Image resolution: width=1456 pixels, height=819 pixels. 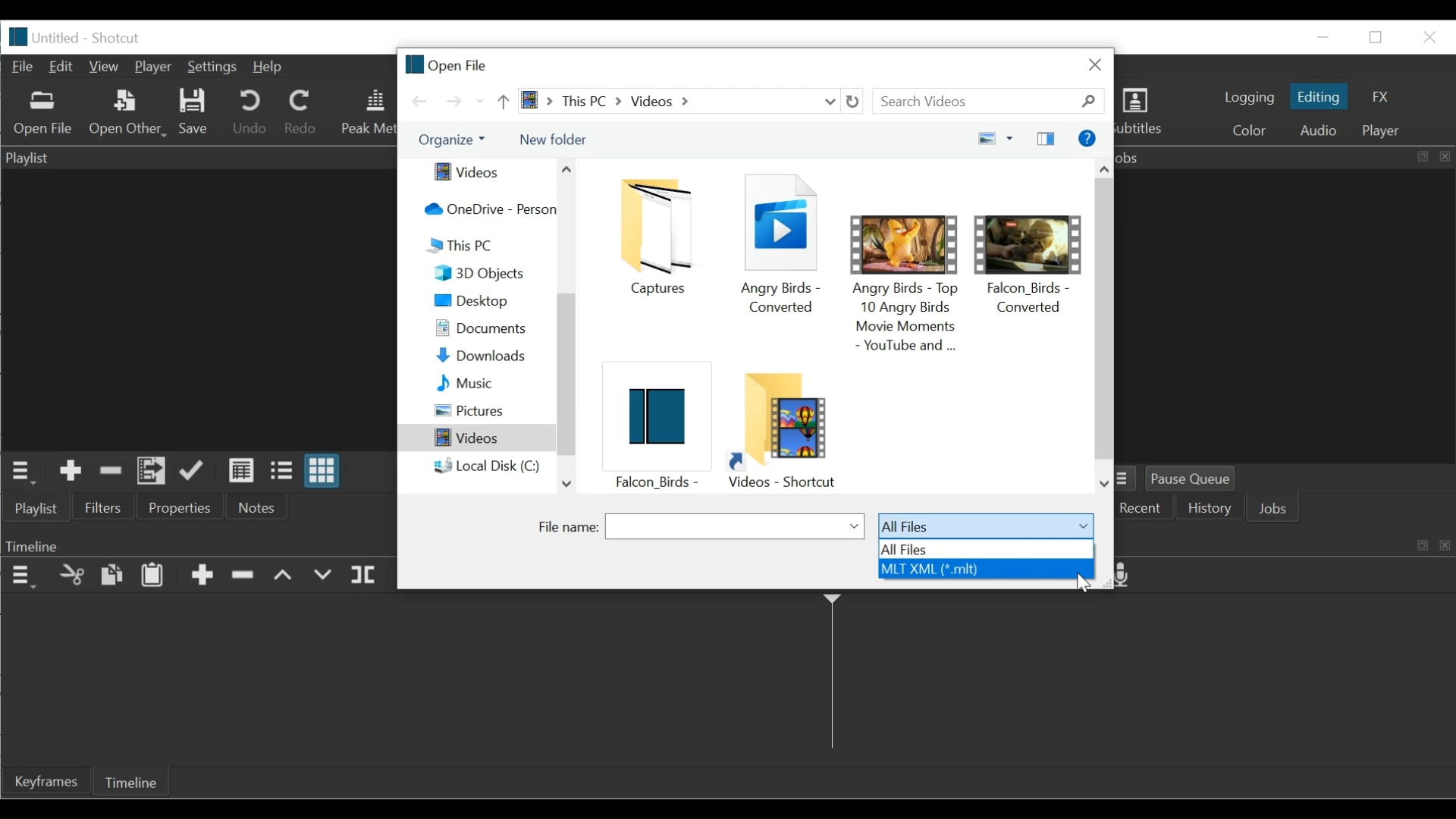 I want to click on Timeline Panel, so click(x=21, y=576).